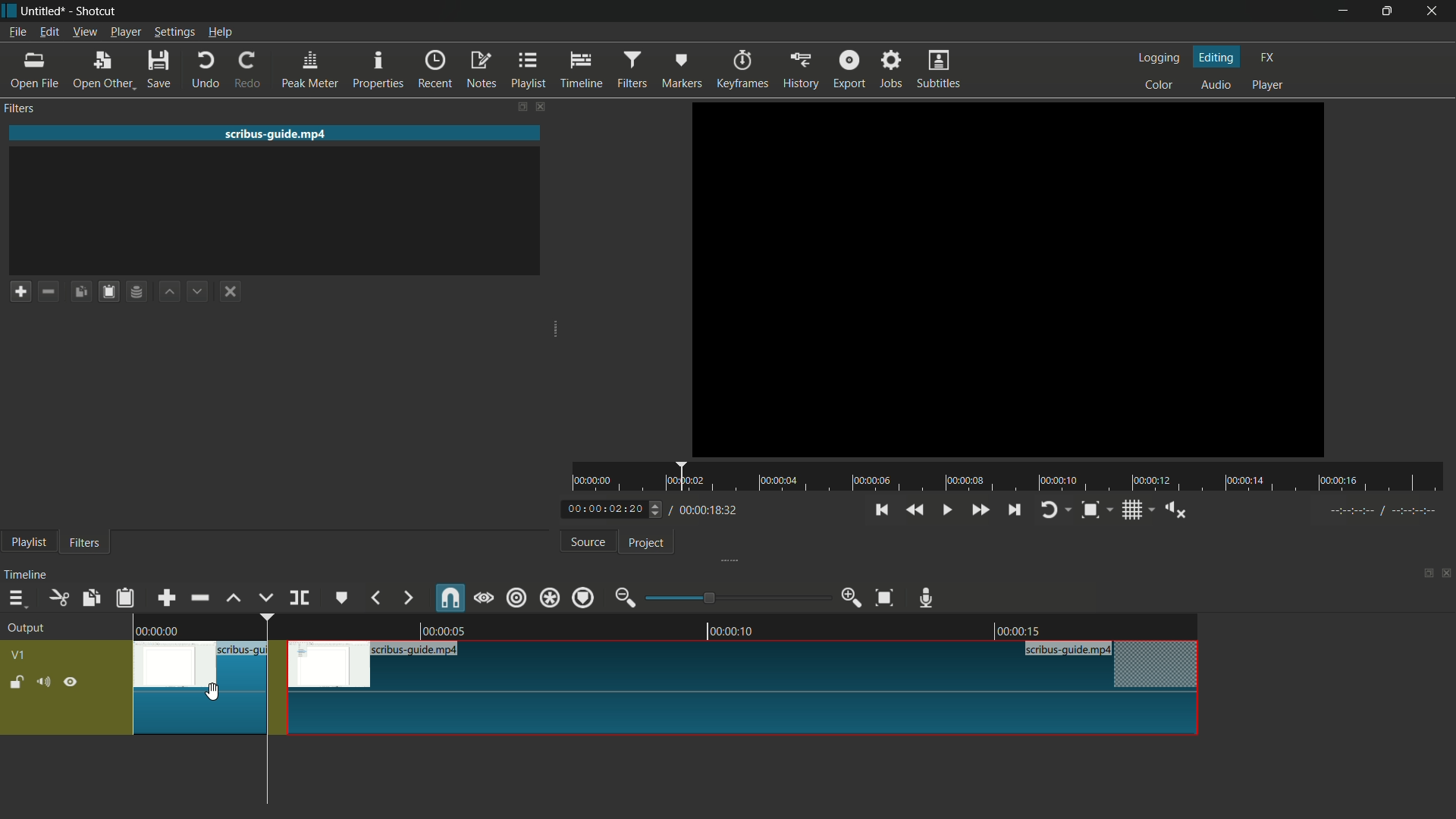  Describe the element at coordinates (109, 292) in the screenshot. I see `paste filters` at that location.